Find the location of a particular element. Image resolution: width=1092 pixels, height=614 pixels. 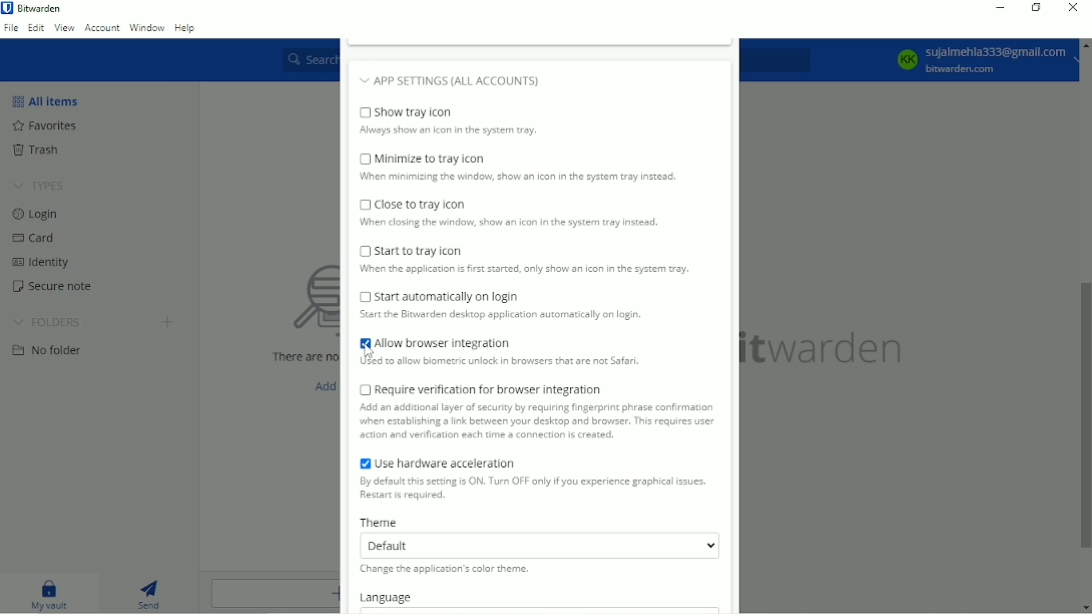

Always show an icon in the system tray. is located at coordinates (450, 132).